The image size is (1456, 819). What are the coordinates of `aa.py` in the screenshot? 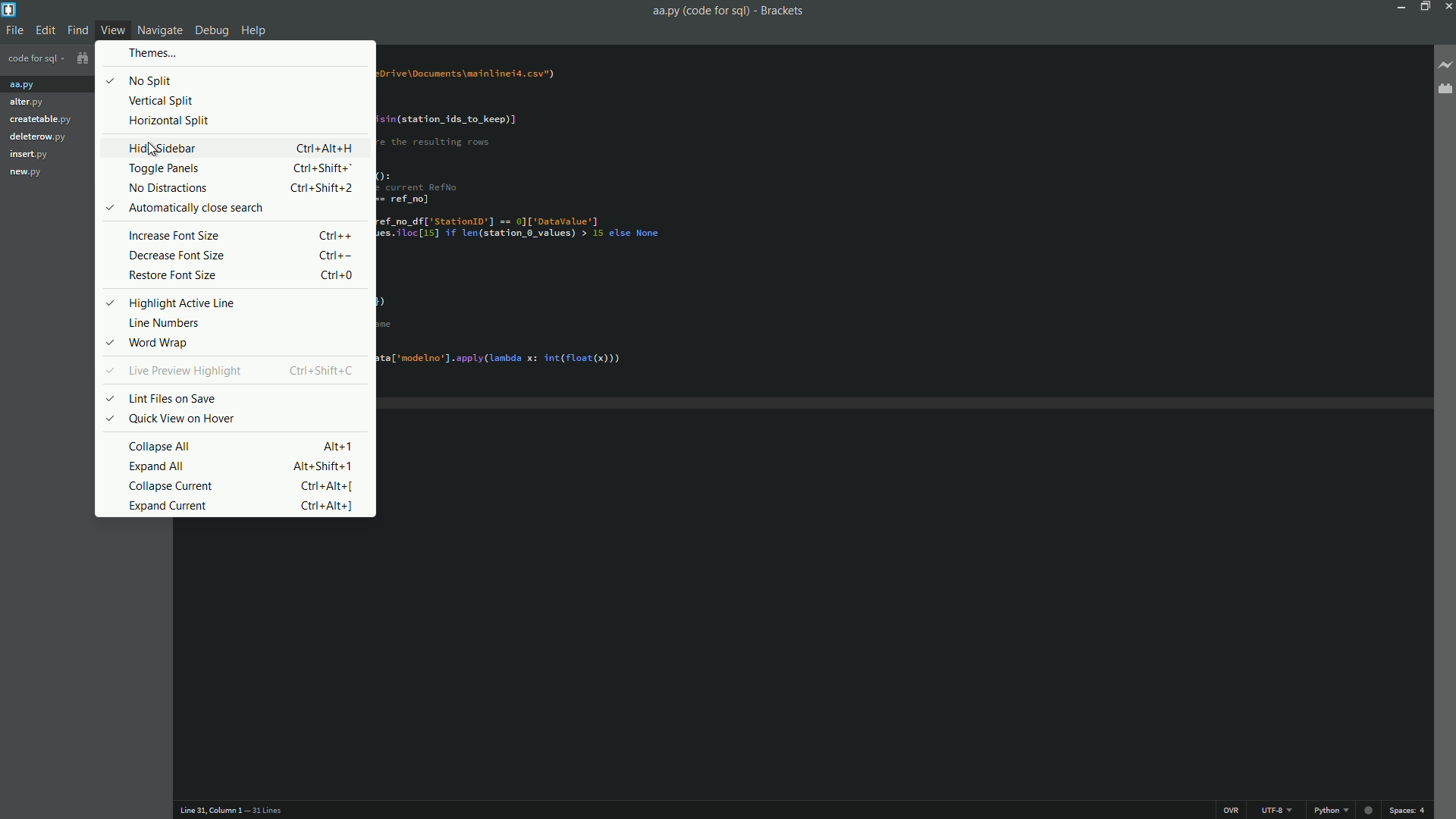 It's located at (24, 86).